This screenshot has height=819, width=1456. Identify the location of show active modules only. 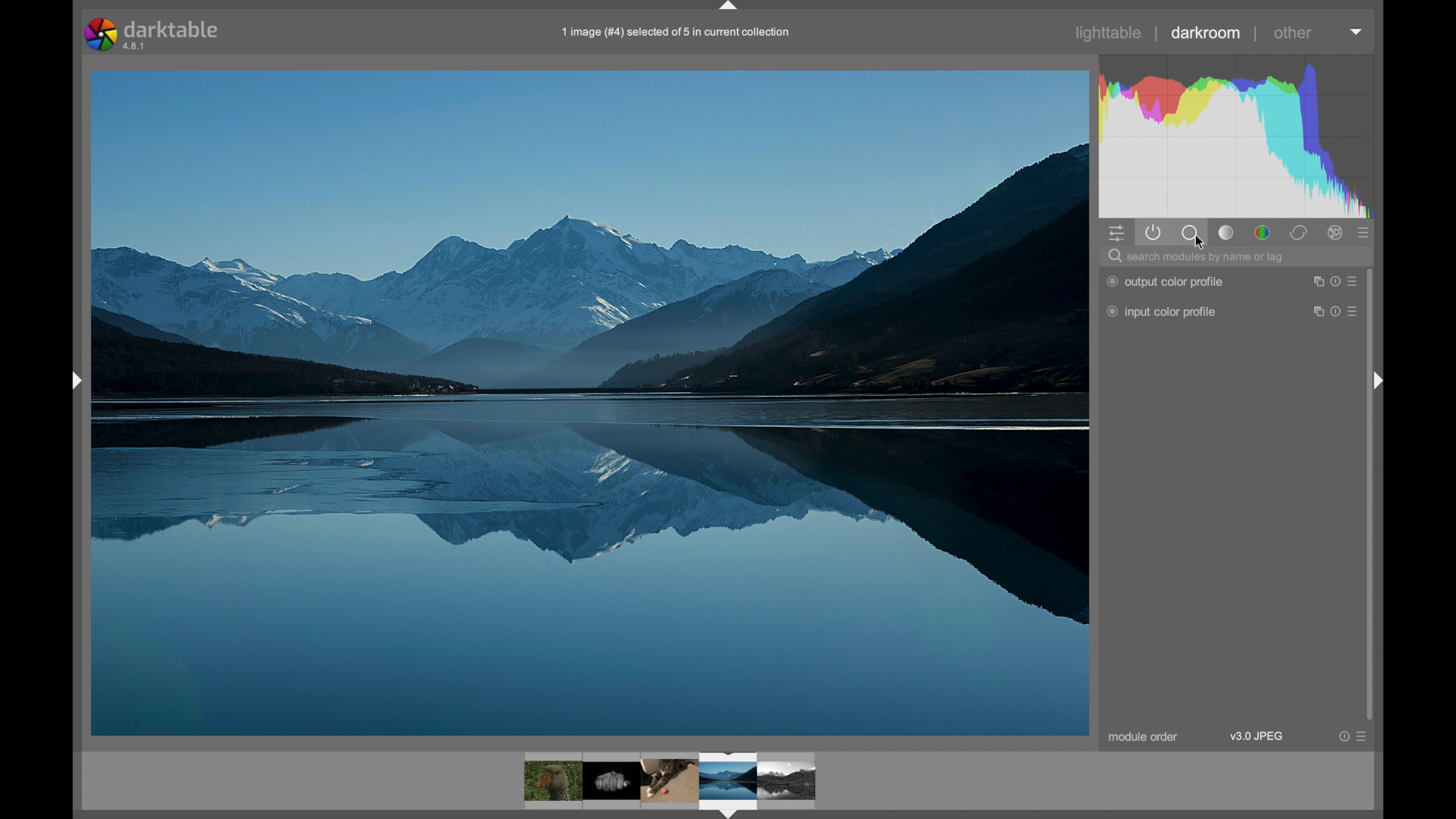
(1153, 233).